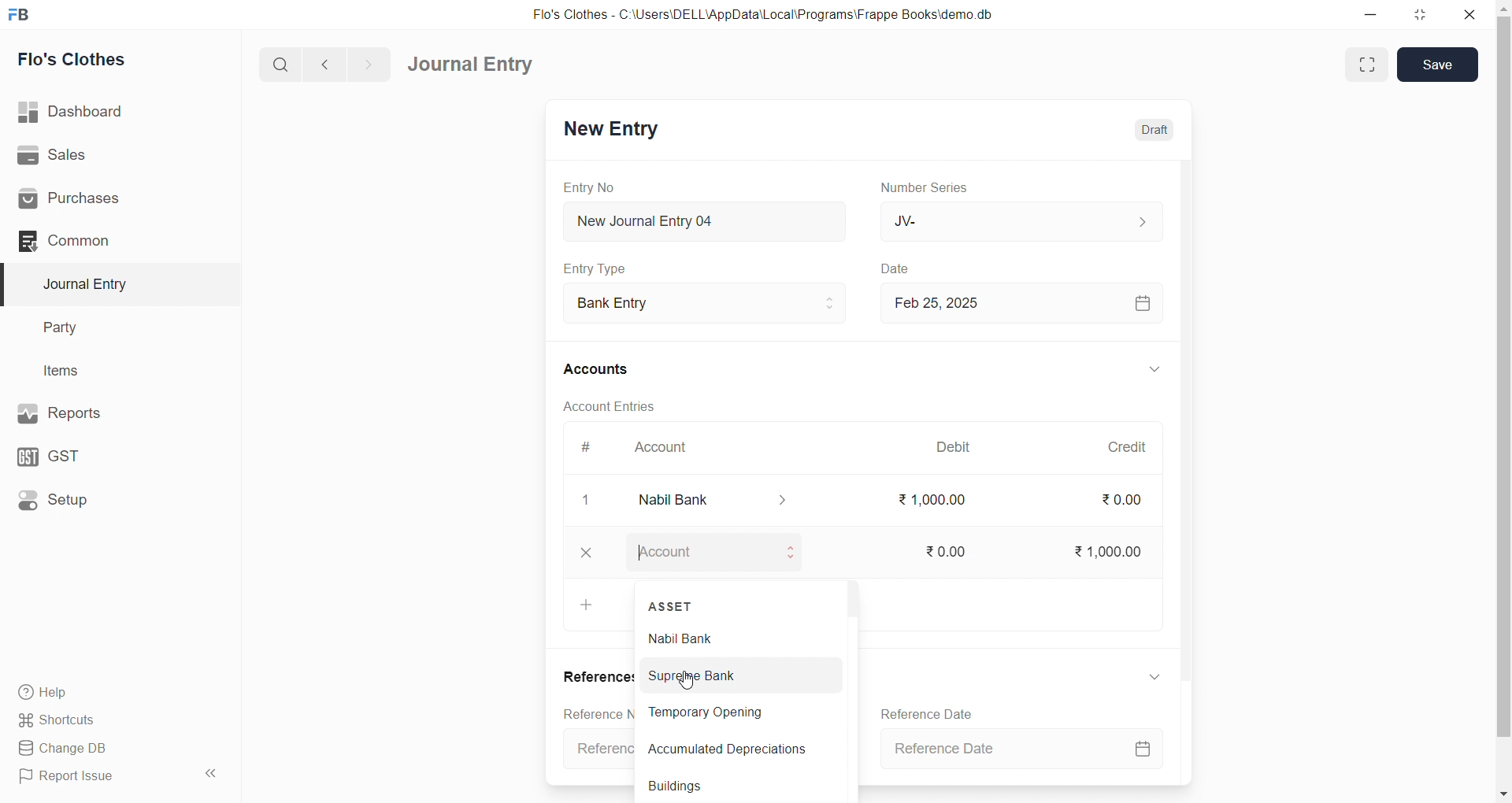  Describe the element at coordinates (1473, 14) in the screenshot. I see `close` at that location.